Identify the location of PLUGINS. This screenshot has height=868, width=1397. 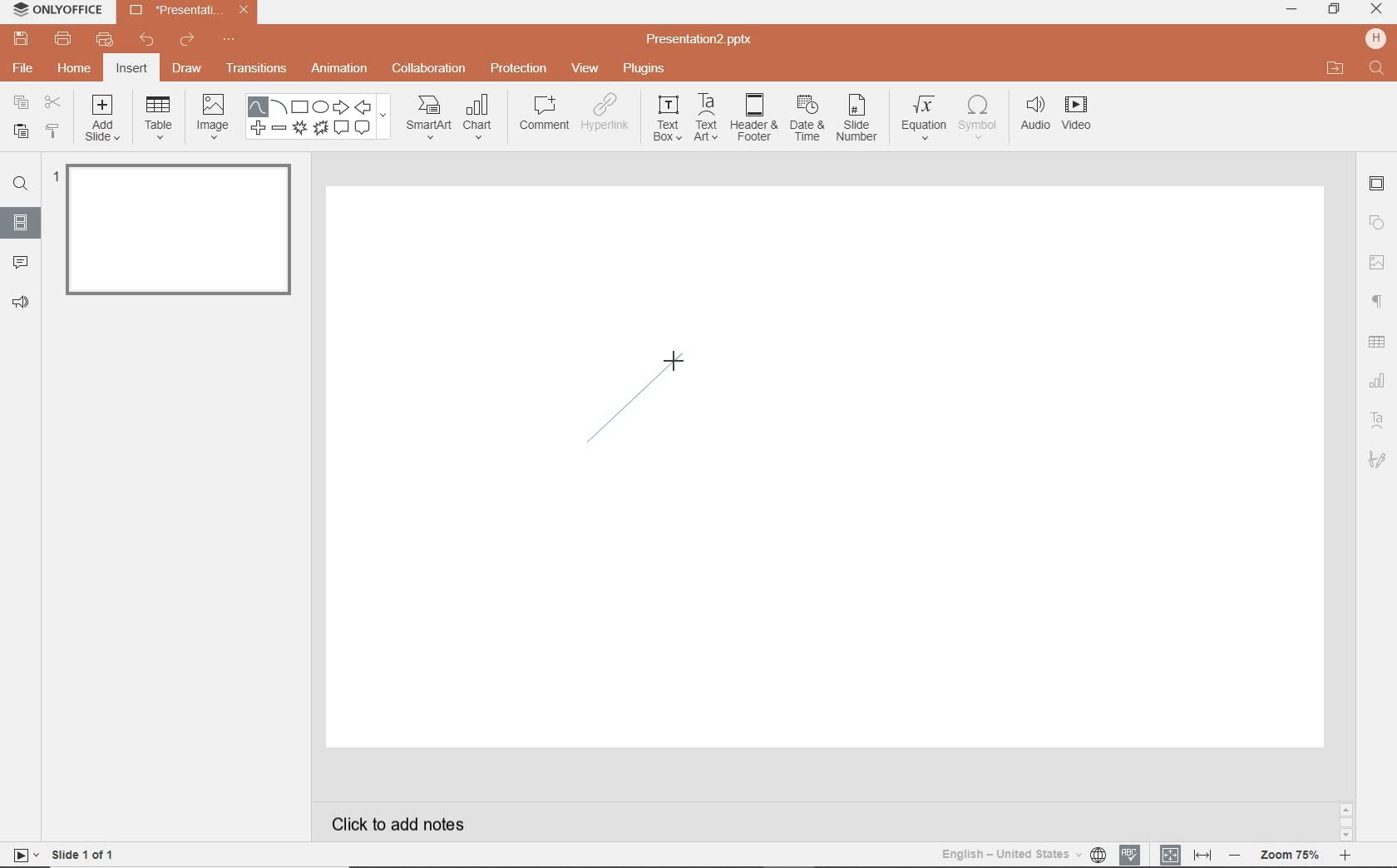
(644, 69).